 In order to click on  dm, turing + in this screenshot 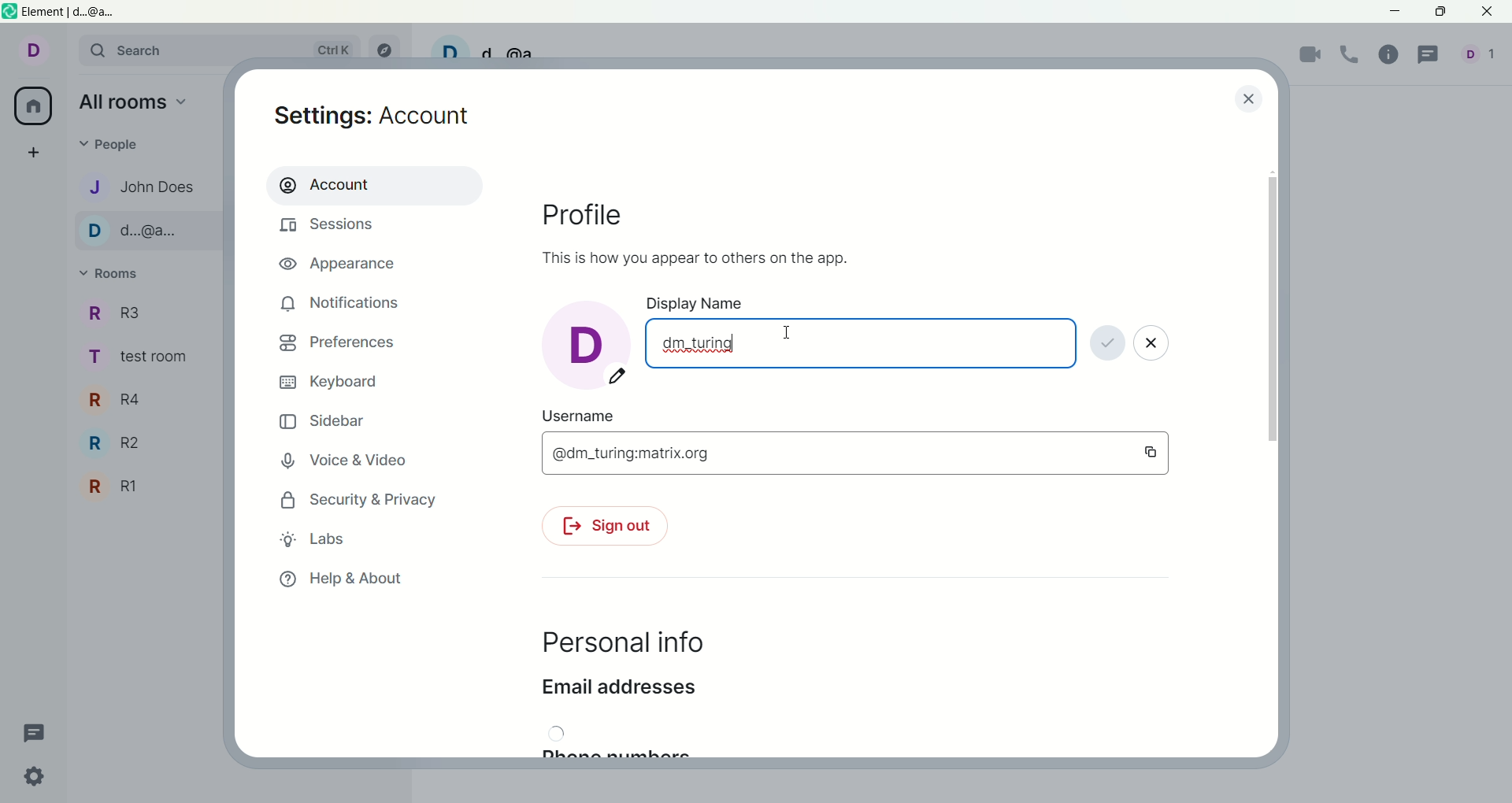, I will do `click(861, 343)`.